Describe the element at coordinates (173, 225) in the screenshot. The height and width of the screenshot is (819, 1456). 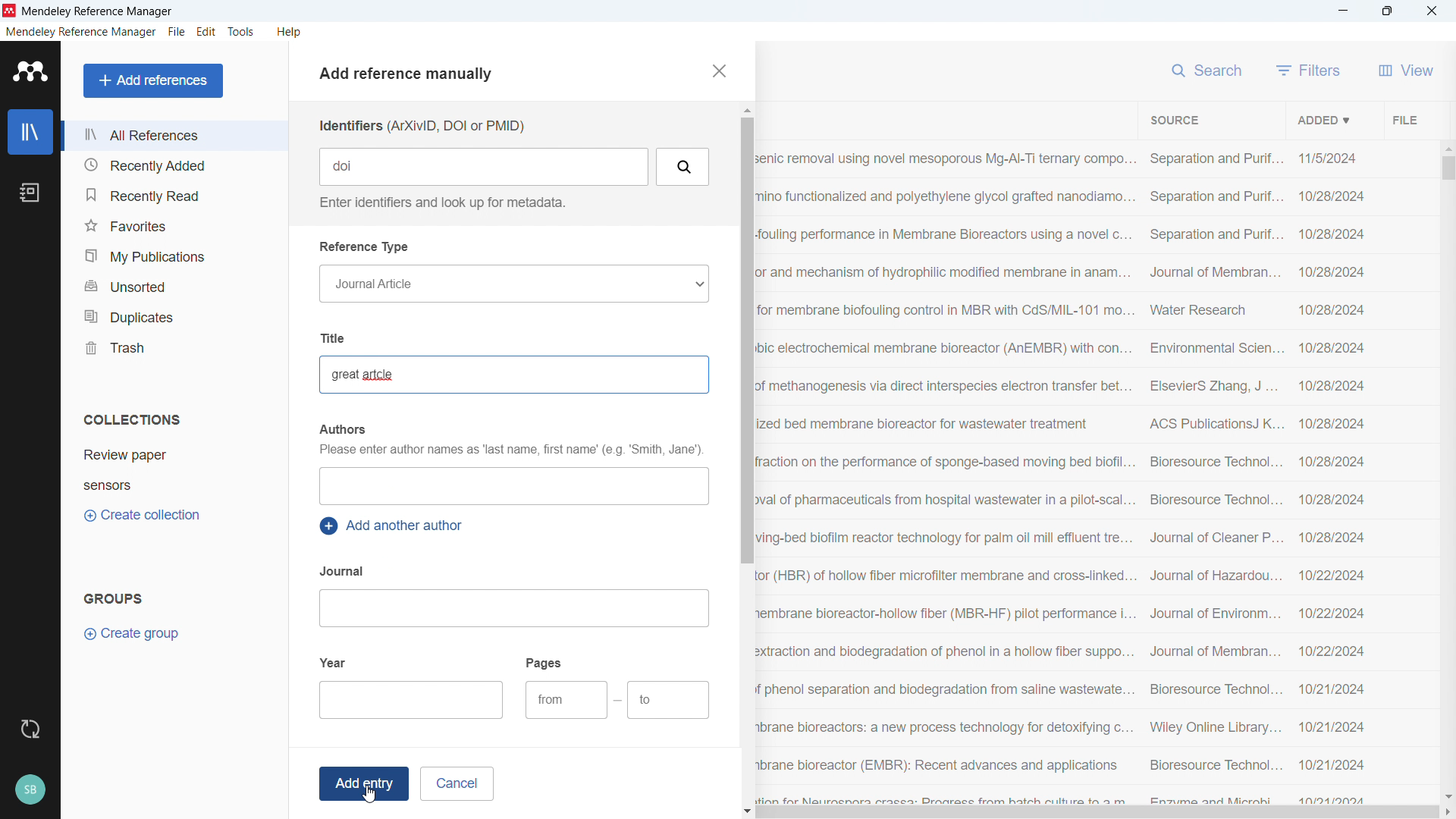
I see `Favourites ` at that location.